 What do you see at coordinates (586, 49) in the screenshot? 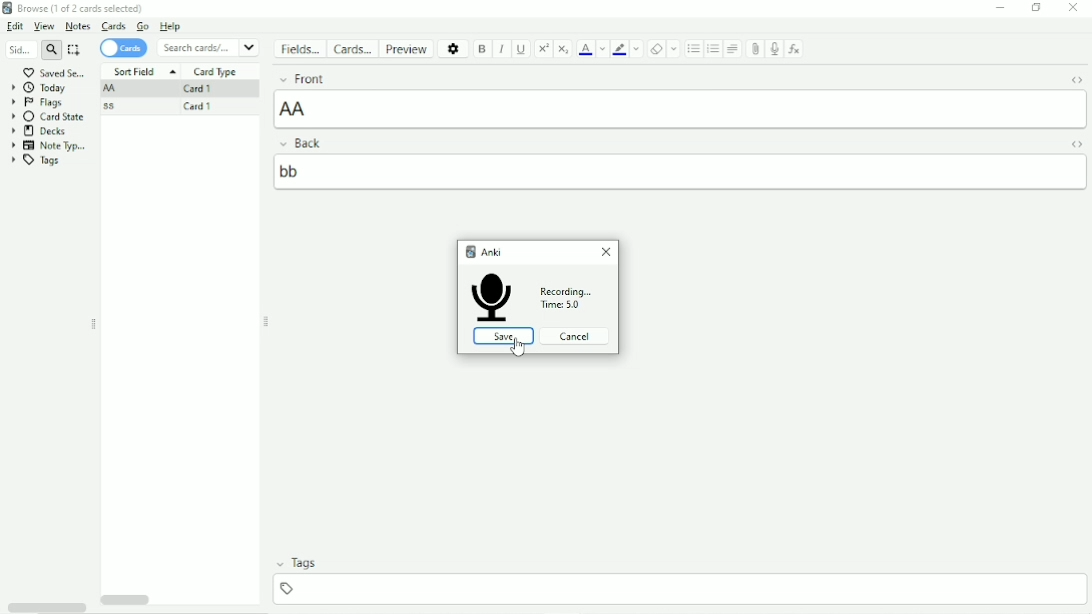
I see `Text color` at bounding box center [586, 49].